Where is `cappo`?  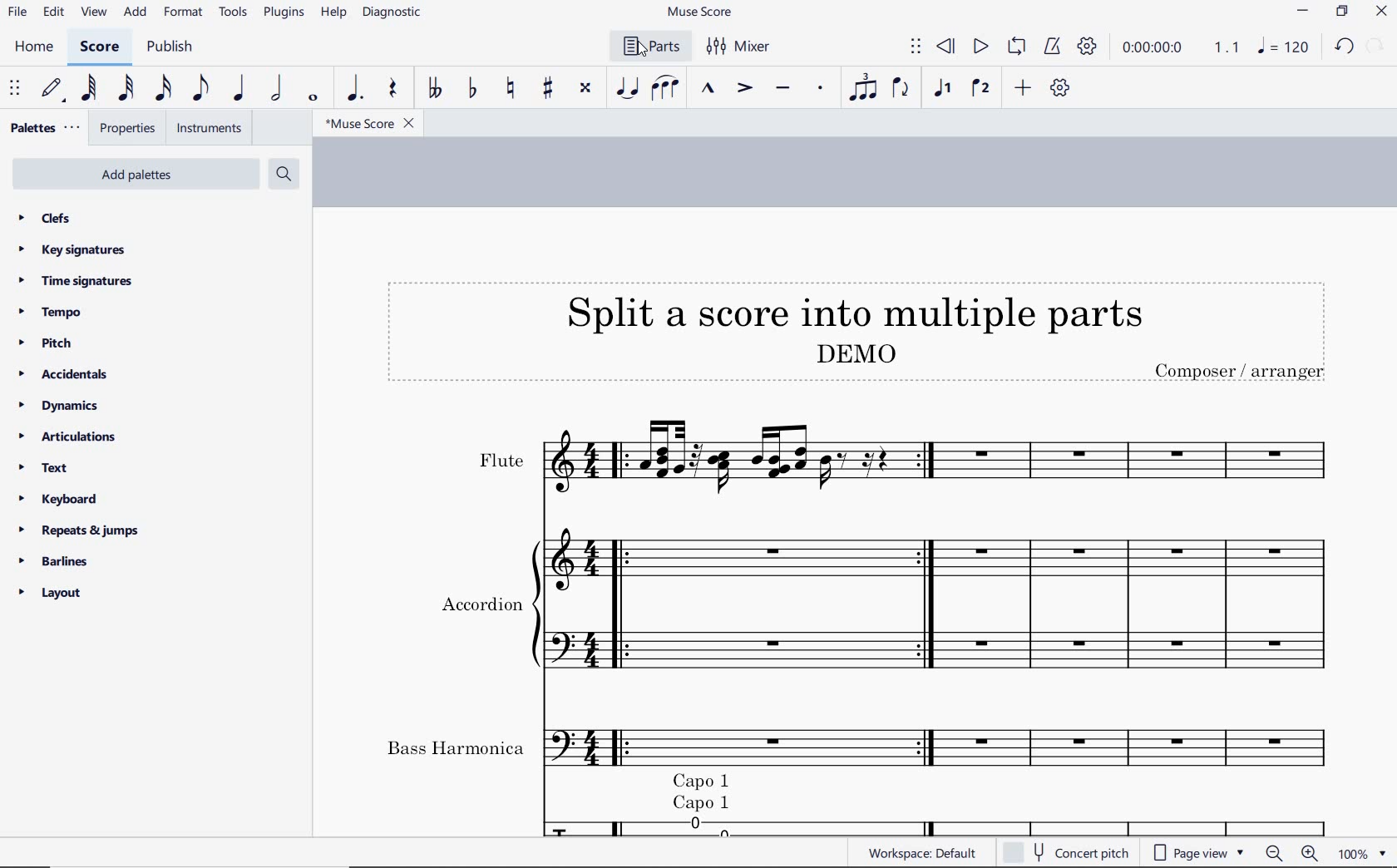
cappo is located at coordinates (707, 792).